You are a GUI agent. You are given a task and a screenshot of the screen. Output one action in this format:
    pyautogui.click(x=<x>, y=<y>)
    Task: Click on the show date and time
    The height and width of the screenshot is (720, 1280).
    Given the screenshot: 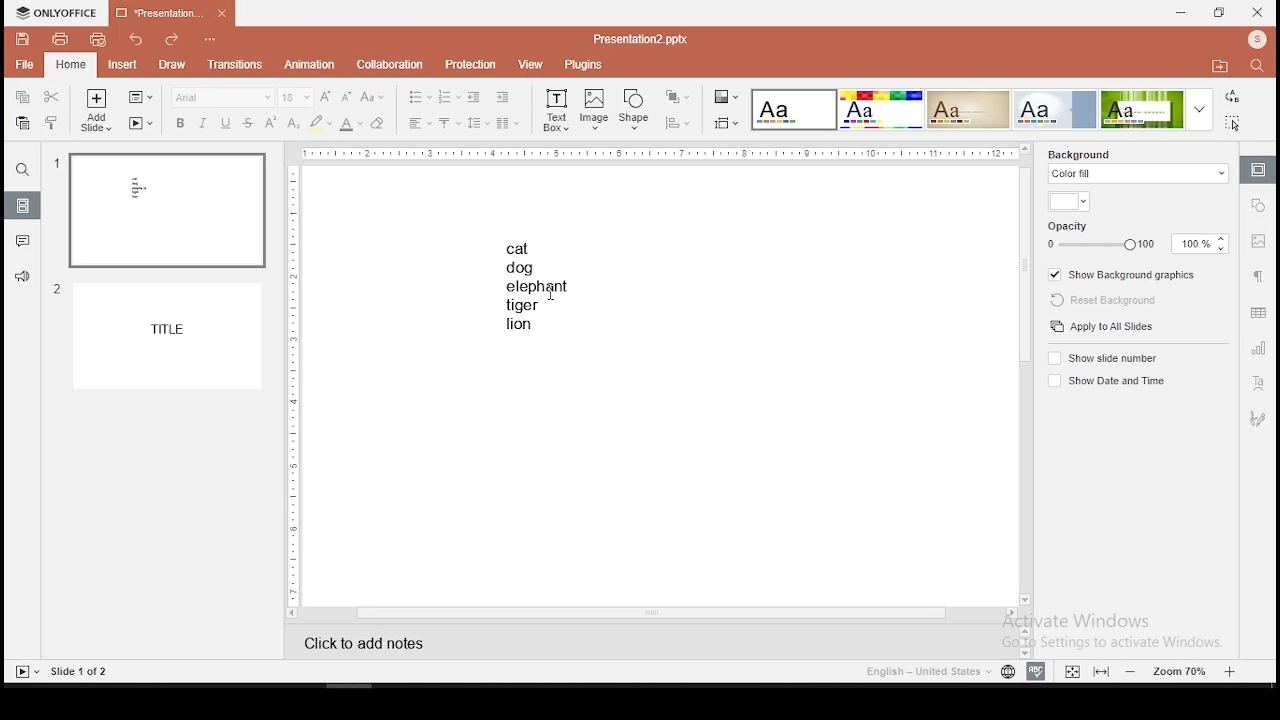 What is the action you would take?
    pyautogui.click(x=1113, y=382)
    